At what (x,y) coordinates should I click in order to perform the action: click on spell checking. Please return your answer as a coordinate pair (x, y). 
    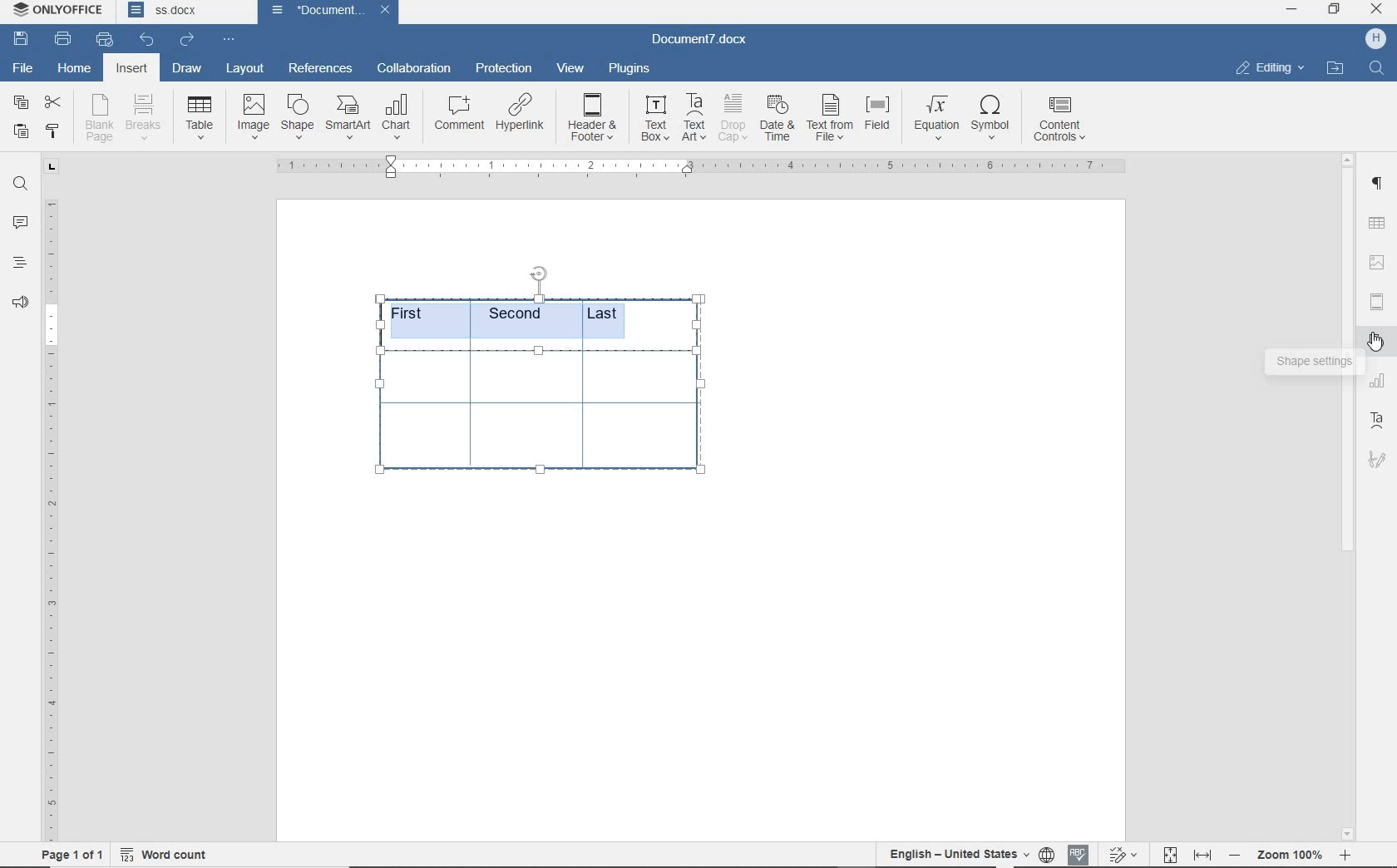
    Looking at the image, I should click on (1079, 853).